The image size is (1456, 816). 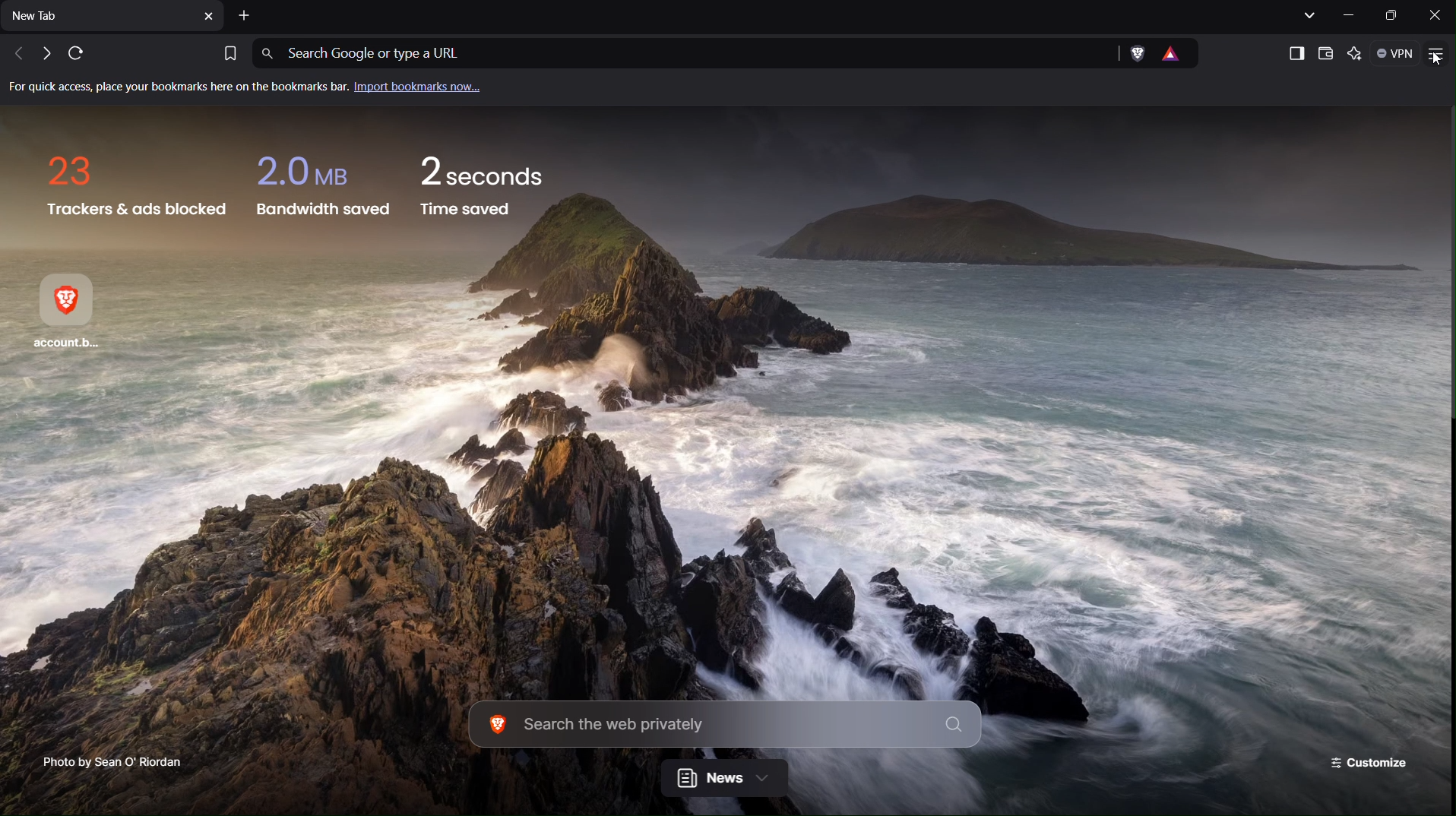 I want to click on Bandwidth saved, so click(x=320, y=185).